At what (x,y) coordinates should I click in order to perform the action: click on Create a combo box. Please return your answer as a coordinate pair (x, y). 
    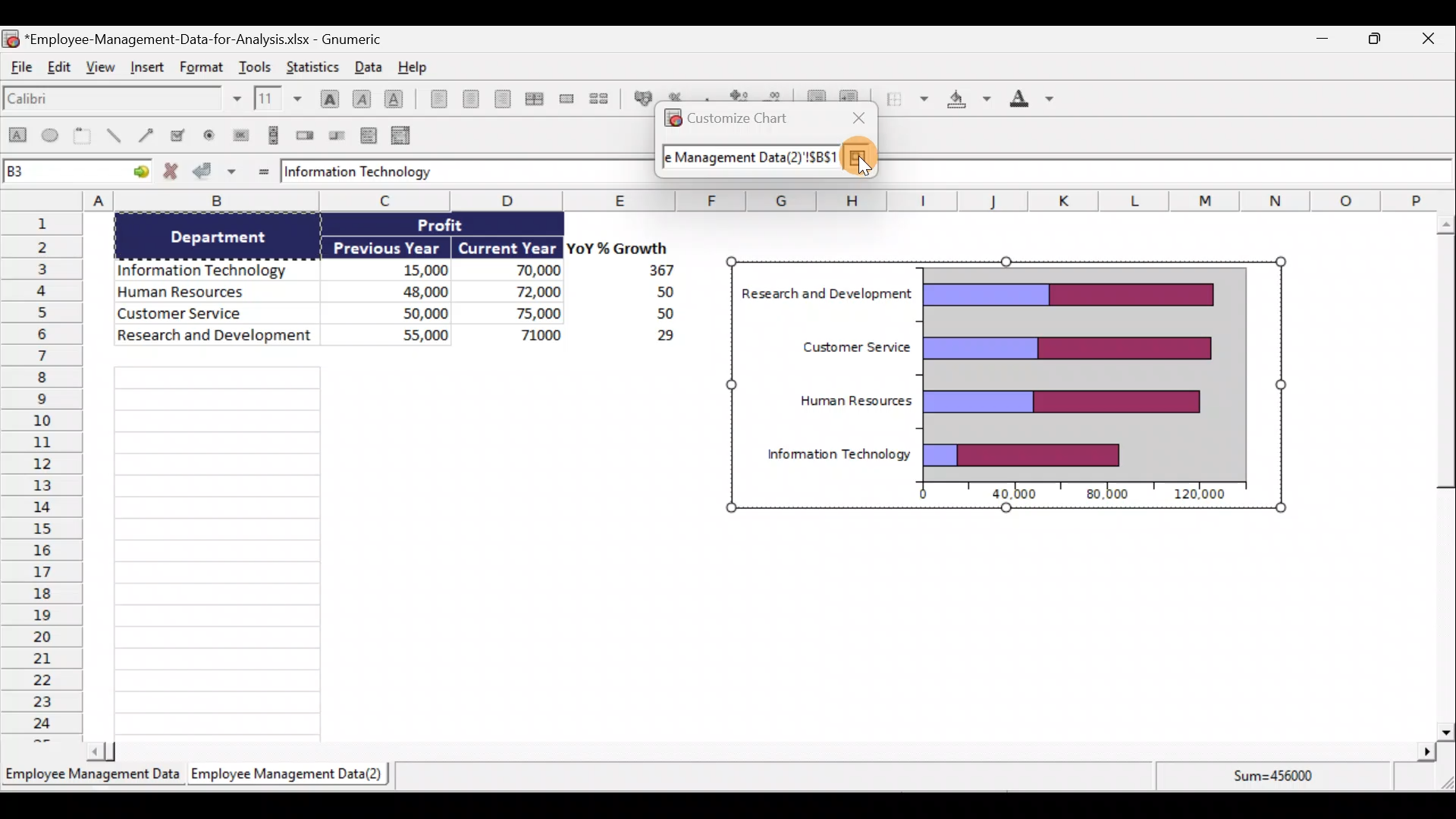
    Looking at the image, I should click on (404, 136).